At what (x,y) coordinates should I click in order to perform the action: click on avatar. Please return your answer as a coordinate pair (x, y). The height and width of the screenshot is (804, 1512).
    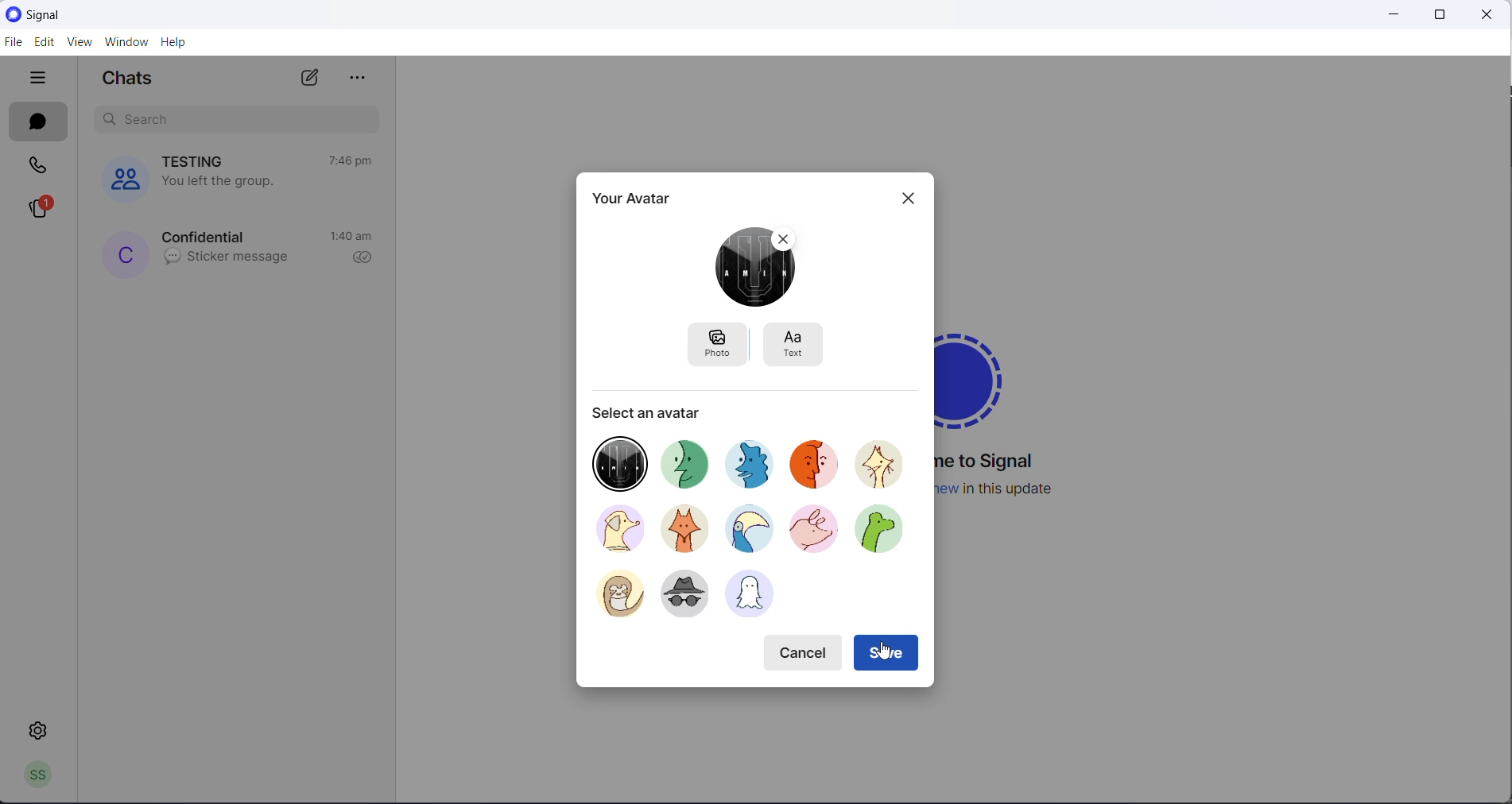
    Looking at the image, I should click on (820, 467).